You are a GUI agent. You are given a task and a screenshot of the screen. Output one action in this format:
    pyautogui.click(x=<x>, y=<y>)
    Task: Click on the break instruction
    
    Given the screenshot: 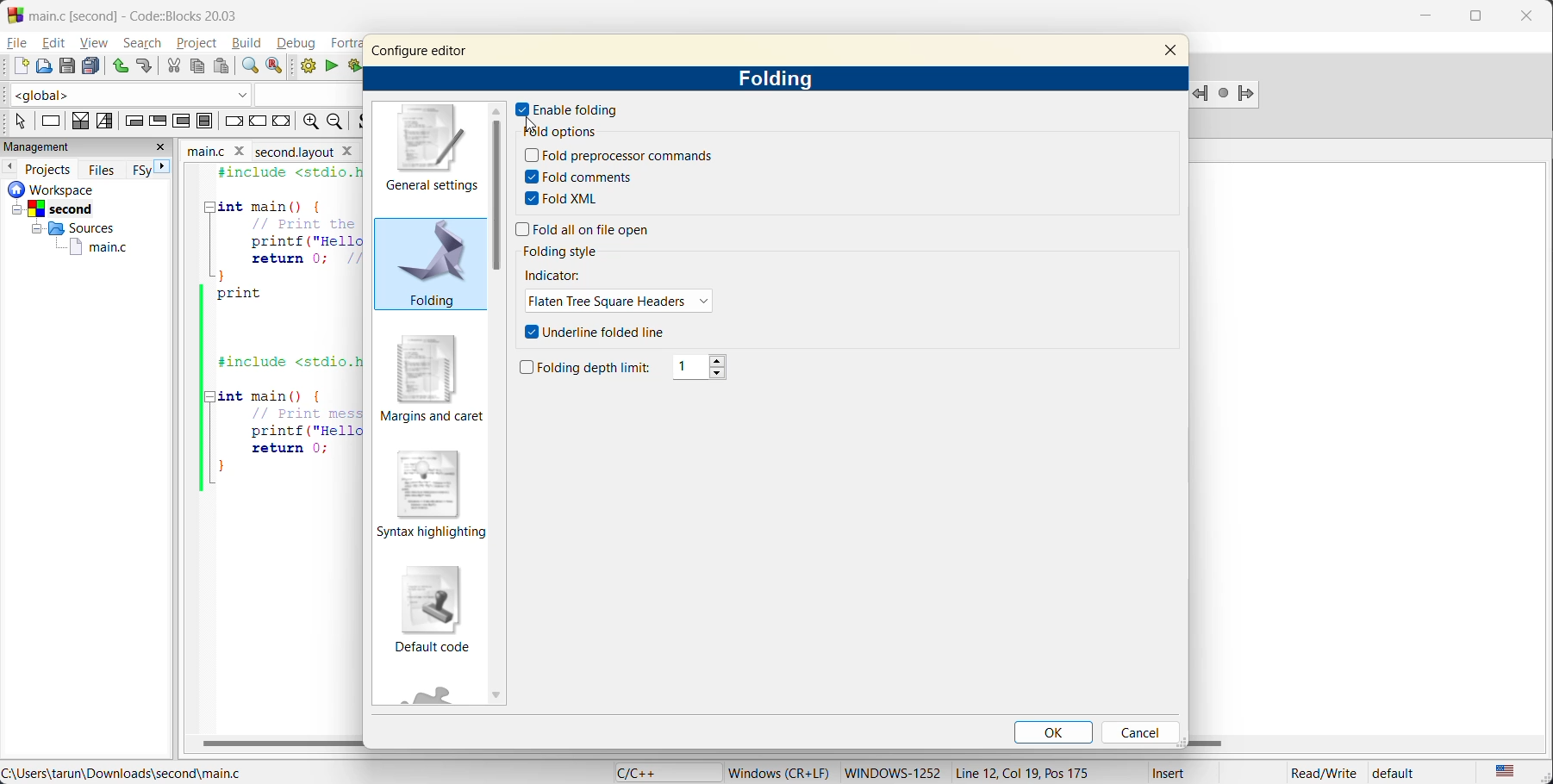 What is the action you would take?
    pyautogui.click(x=233, y=122)
    